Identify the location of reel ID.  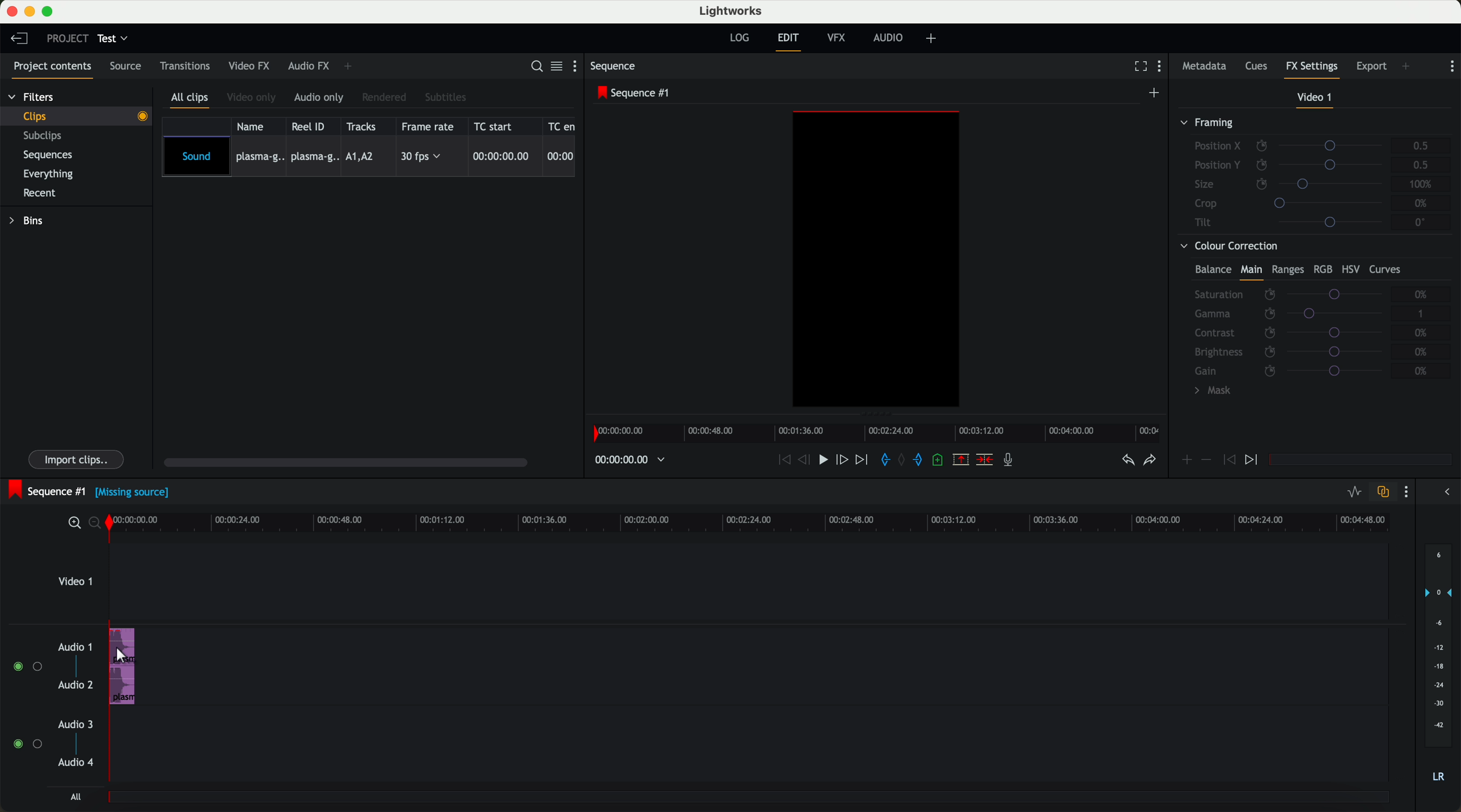
(311, 126).